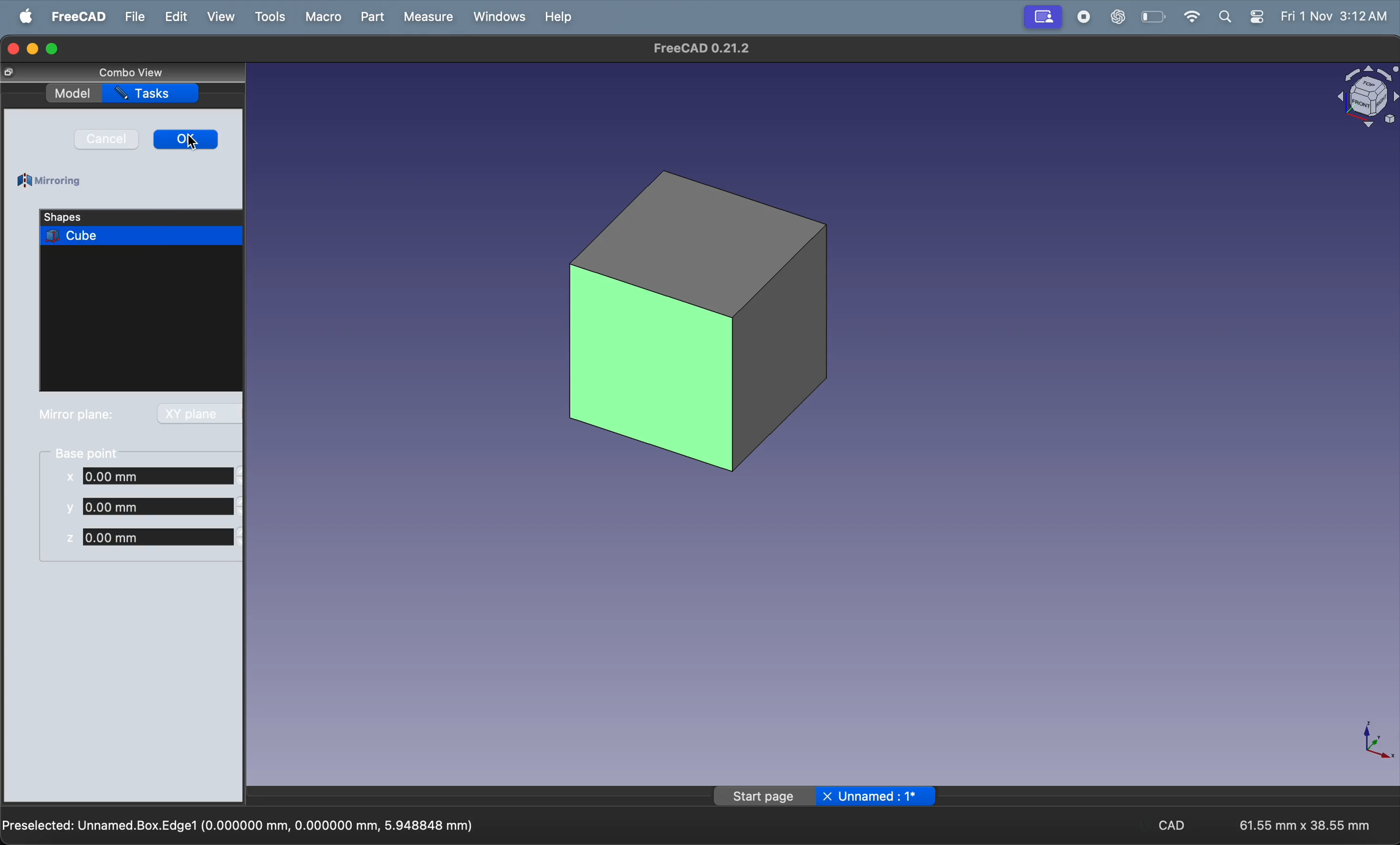  Describe the element at coordinates (763, 797) in the screenshot. I see `start page` at that location.